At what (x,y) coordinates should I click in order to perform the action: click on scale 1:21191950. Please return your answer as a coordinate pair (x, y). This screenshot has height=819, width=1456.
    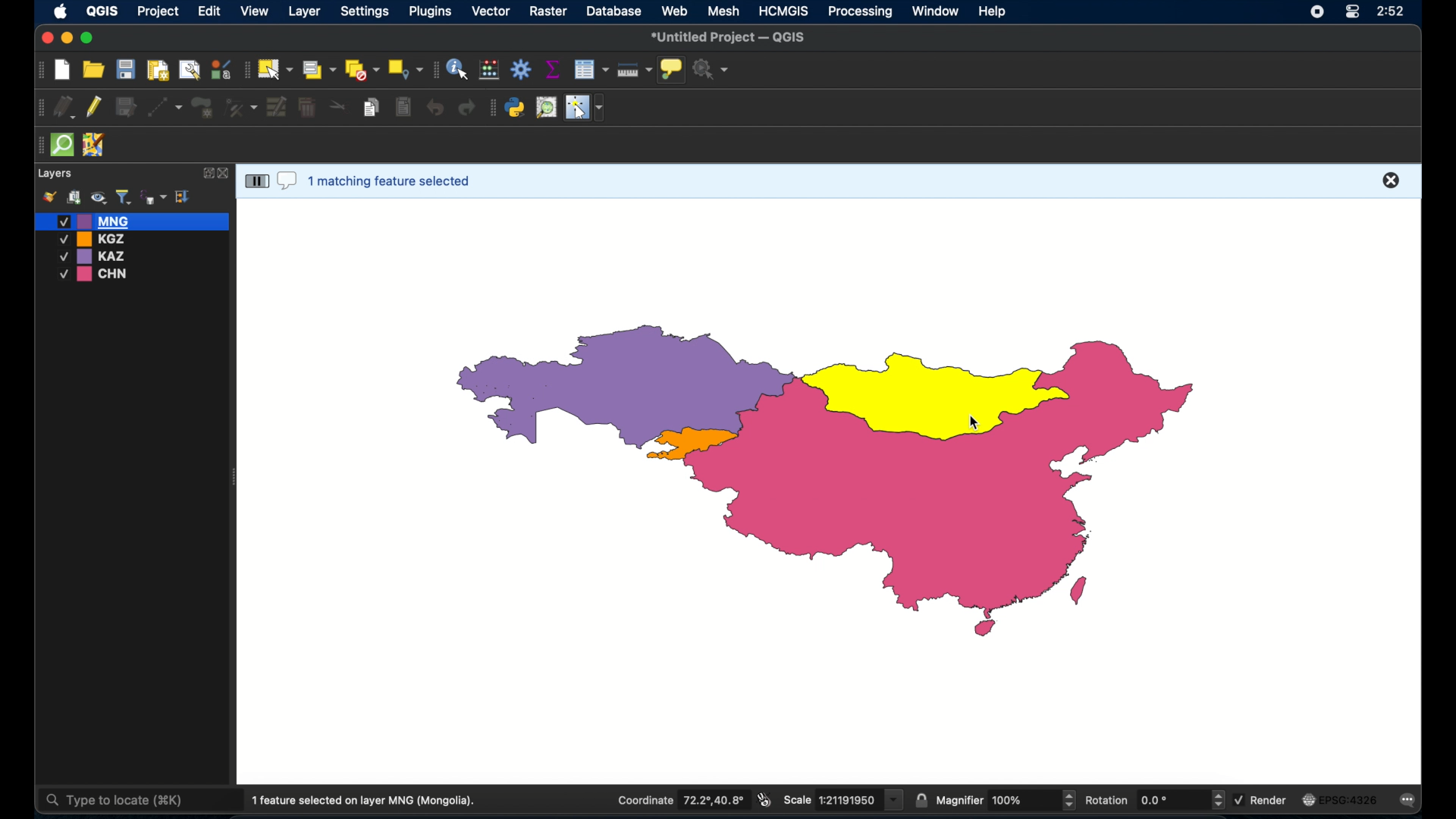
    Looking at the image, I should click on (844, 800).